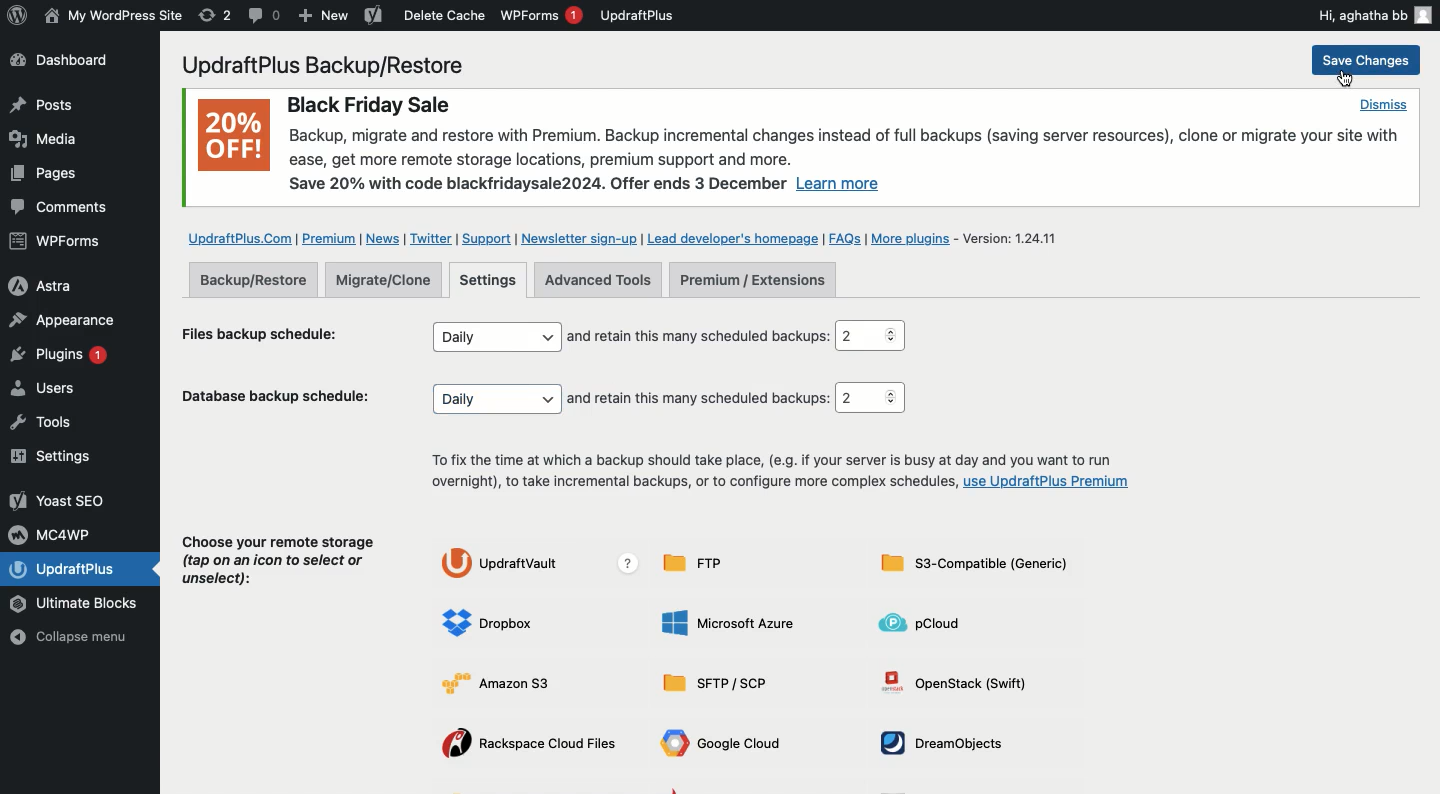  I want to click on WPForms 1, so click(541, 15).